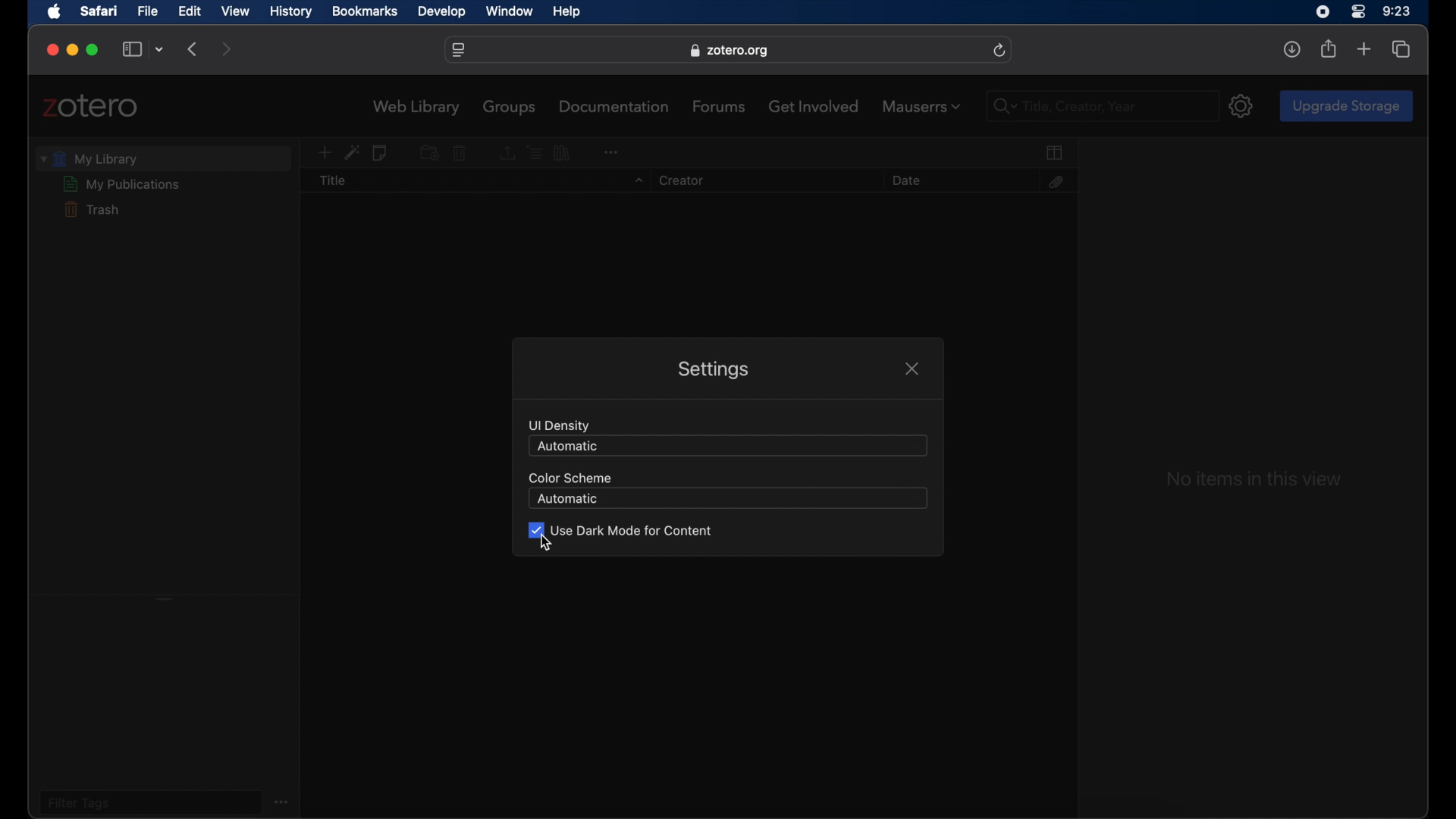 This screenshot has height=819, width=1456. I want to click on UI density, so click(560, 425).